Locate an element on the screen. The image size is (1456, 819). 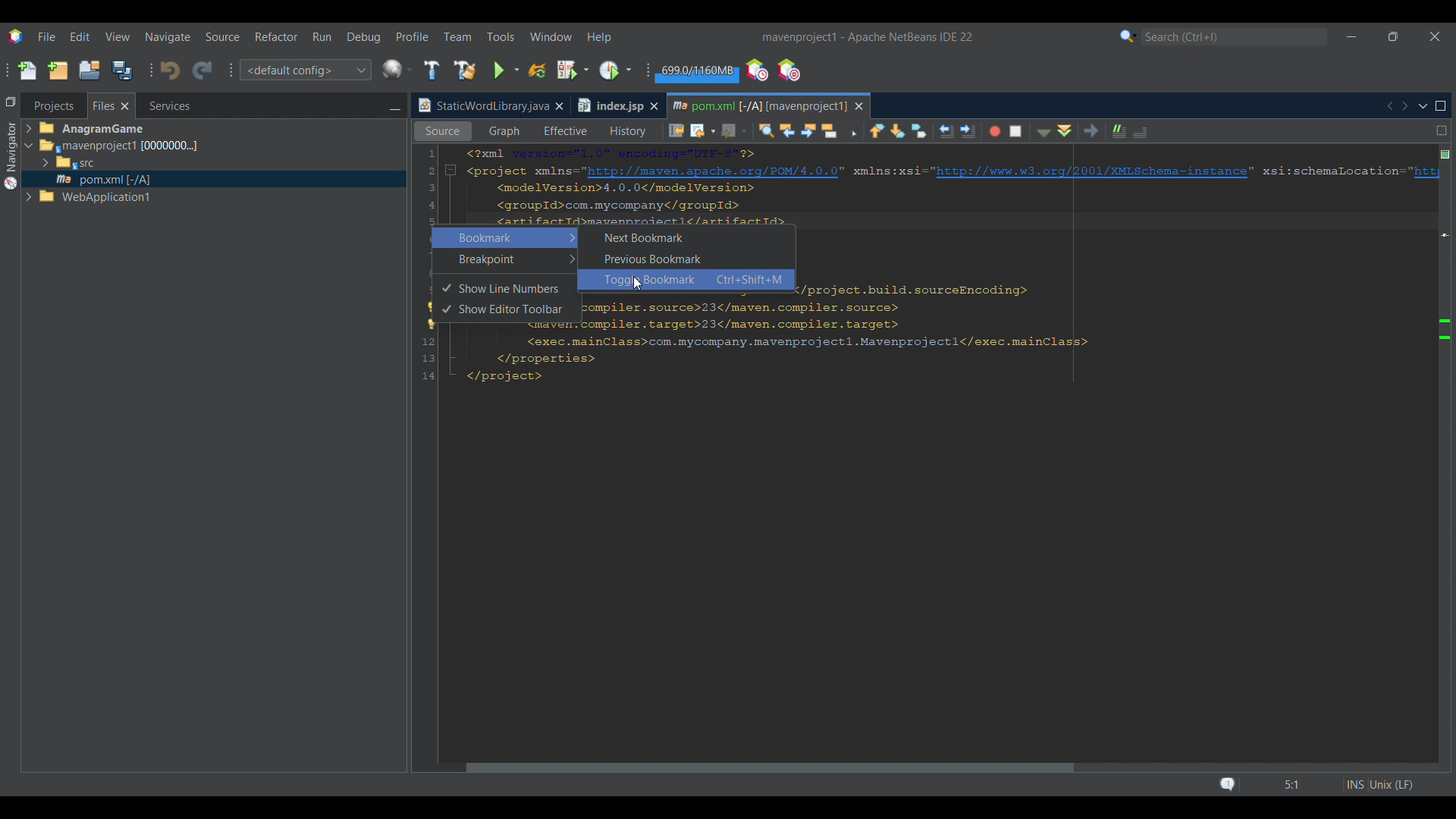
Comment is located at coordinates (1116, 129).